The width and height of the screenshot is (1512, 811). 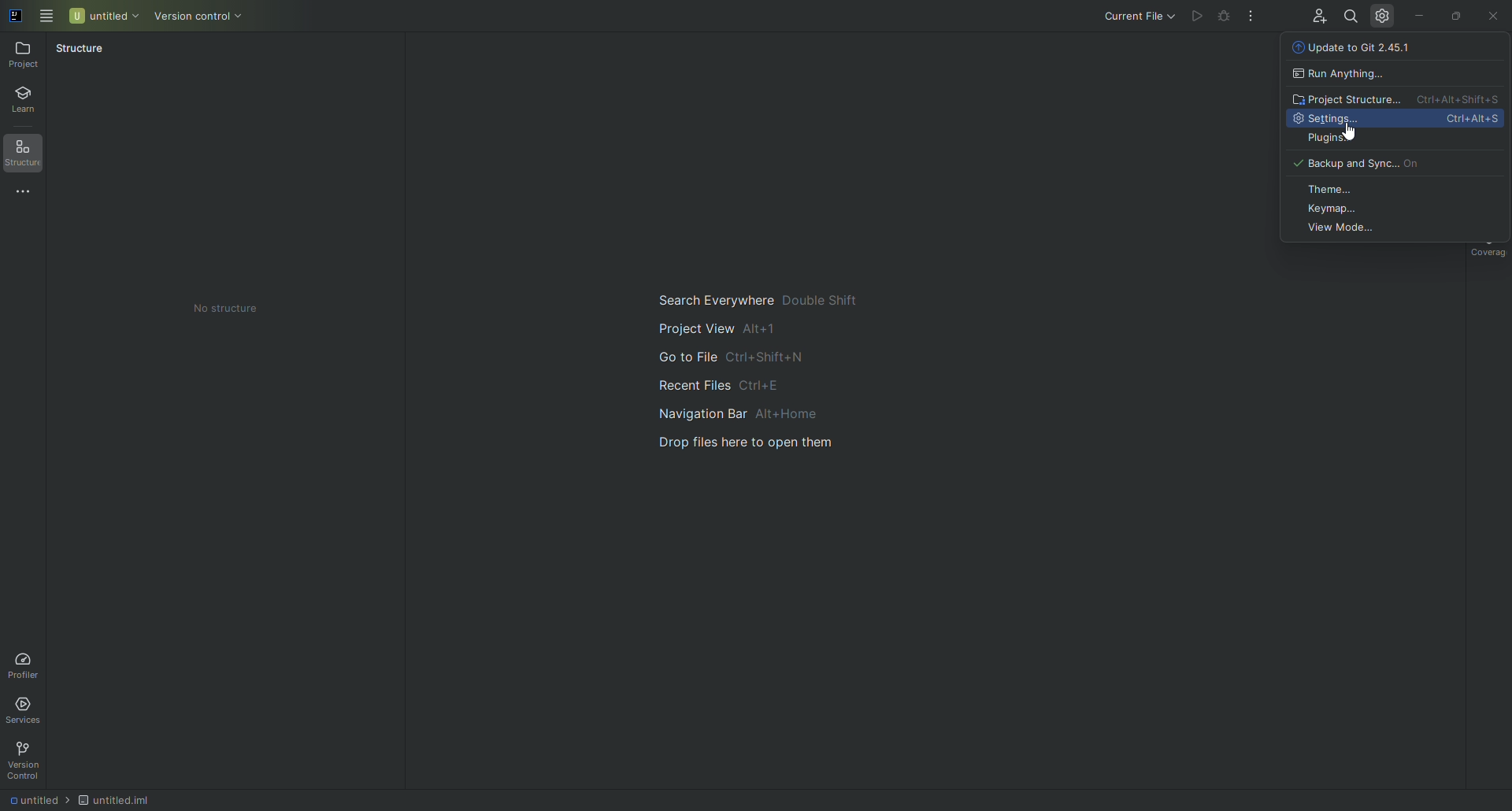 What do you see at coordinates (83, 48) in the screenshot?
I see `Structure` at bounding box center [83, 48].